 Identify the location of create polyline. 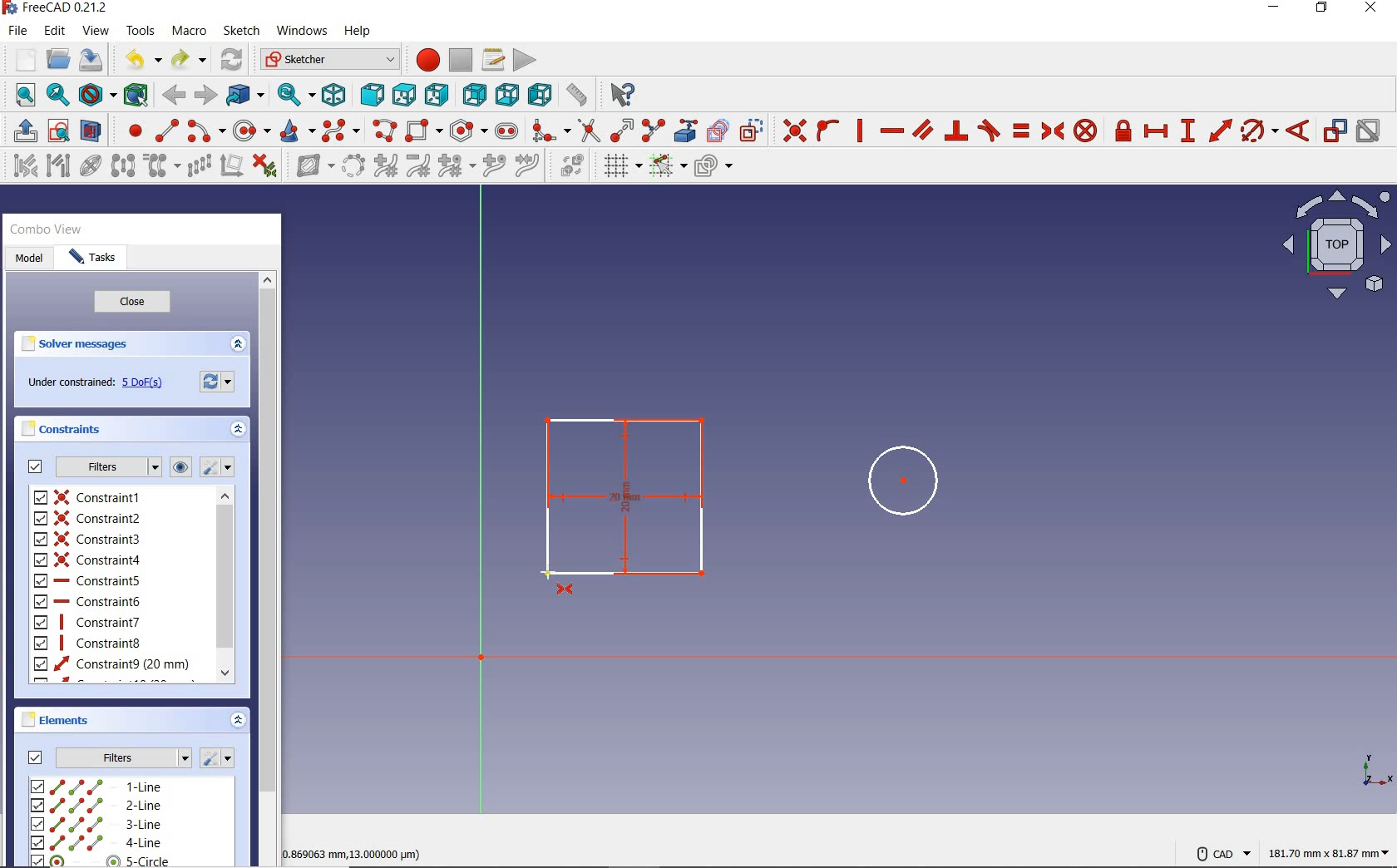
(385, 131).